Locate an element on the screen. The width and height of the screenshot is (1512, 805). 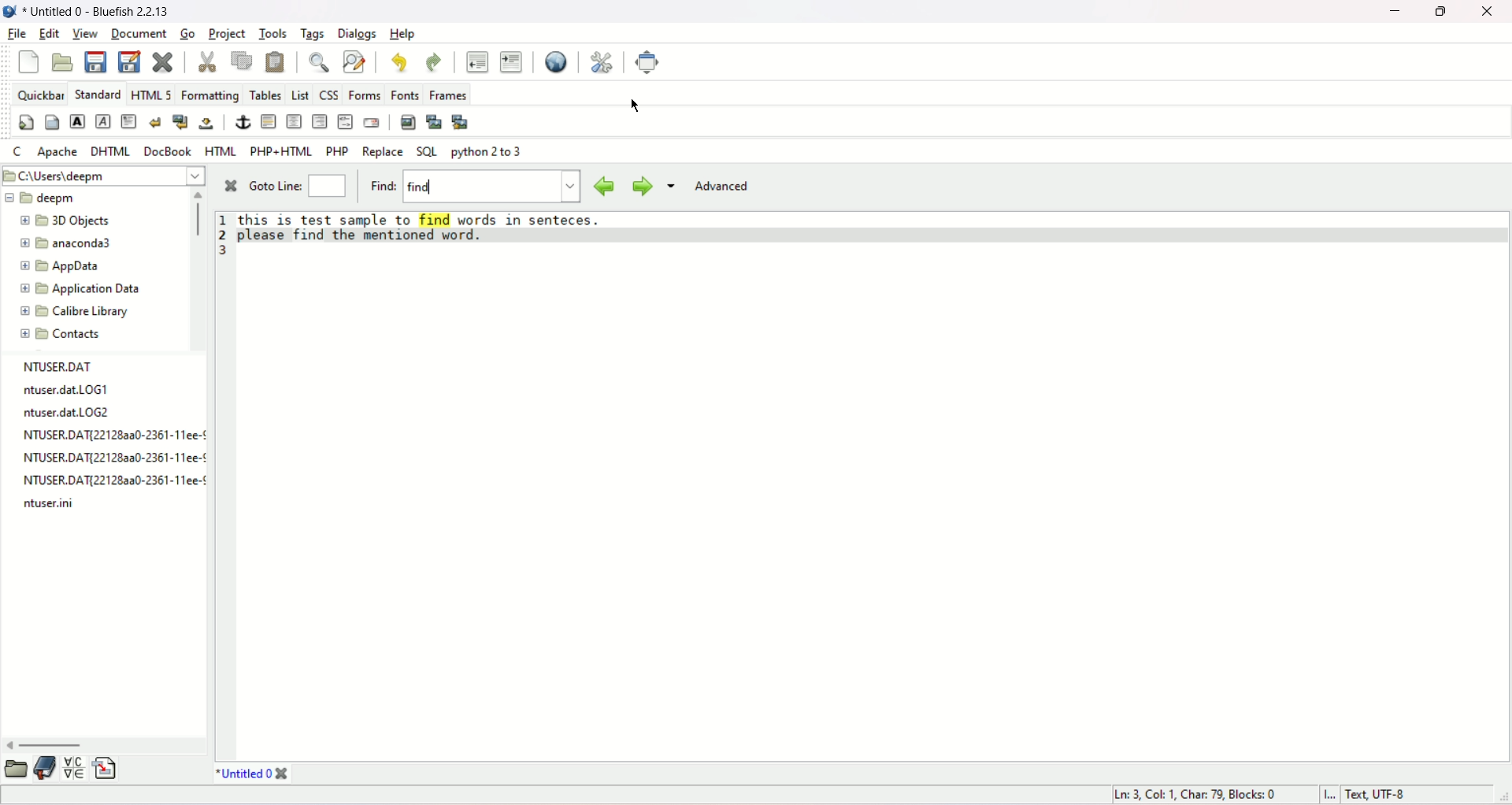
insert file is located at coordinates (105, 772).